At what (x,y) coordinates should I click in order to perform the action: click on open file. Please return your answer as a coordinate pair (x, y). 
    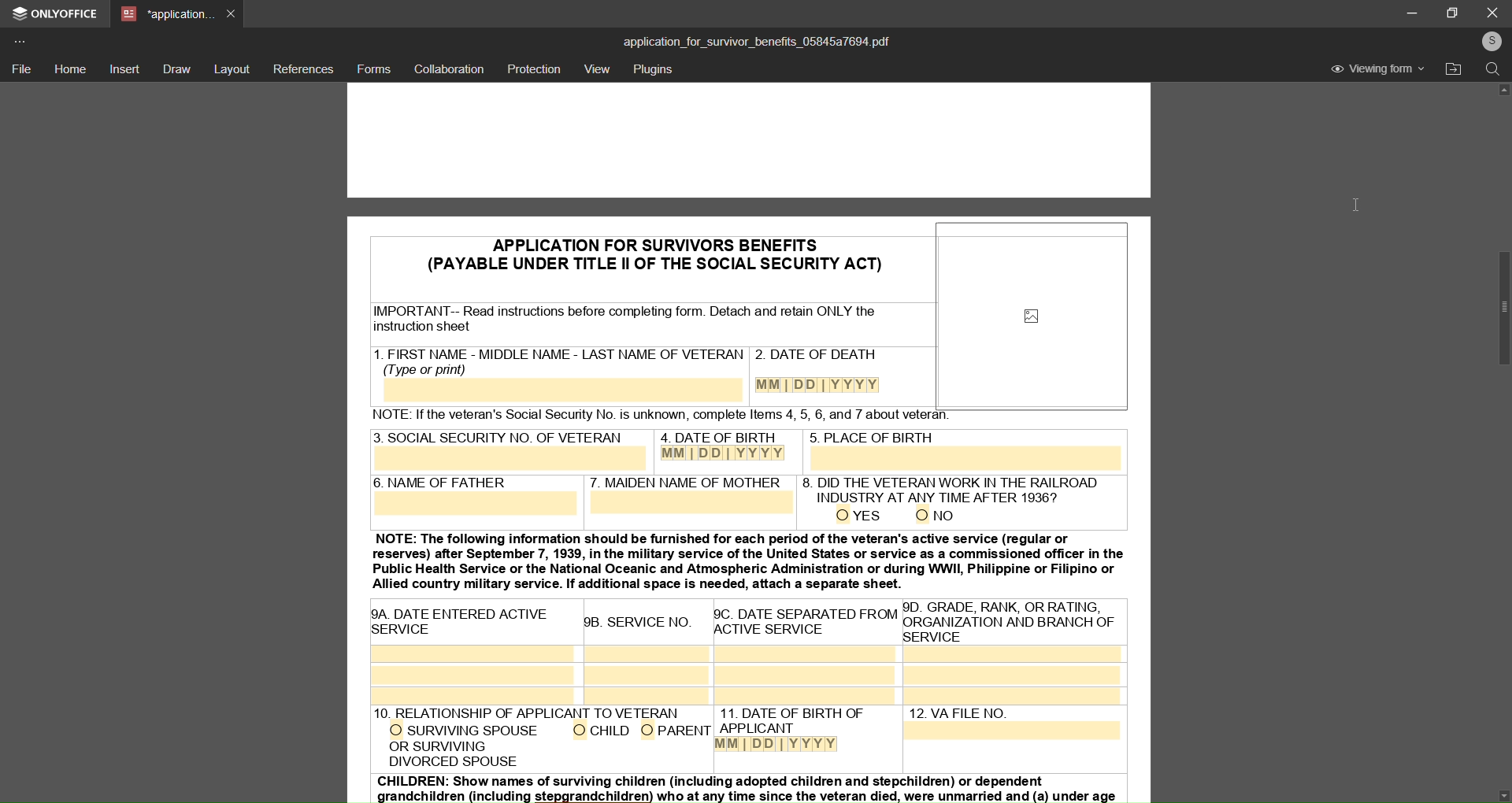
    Looking at the image, I should click on (1455, 70).